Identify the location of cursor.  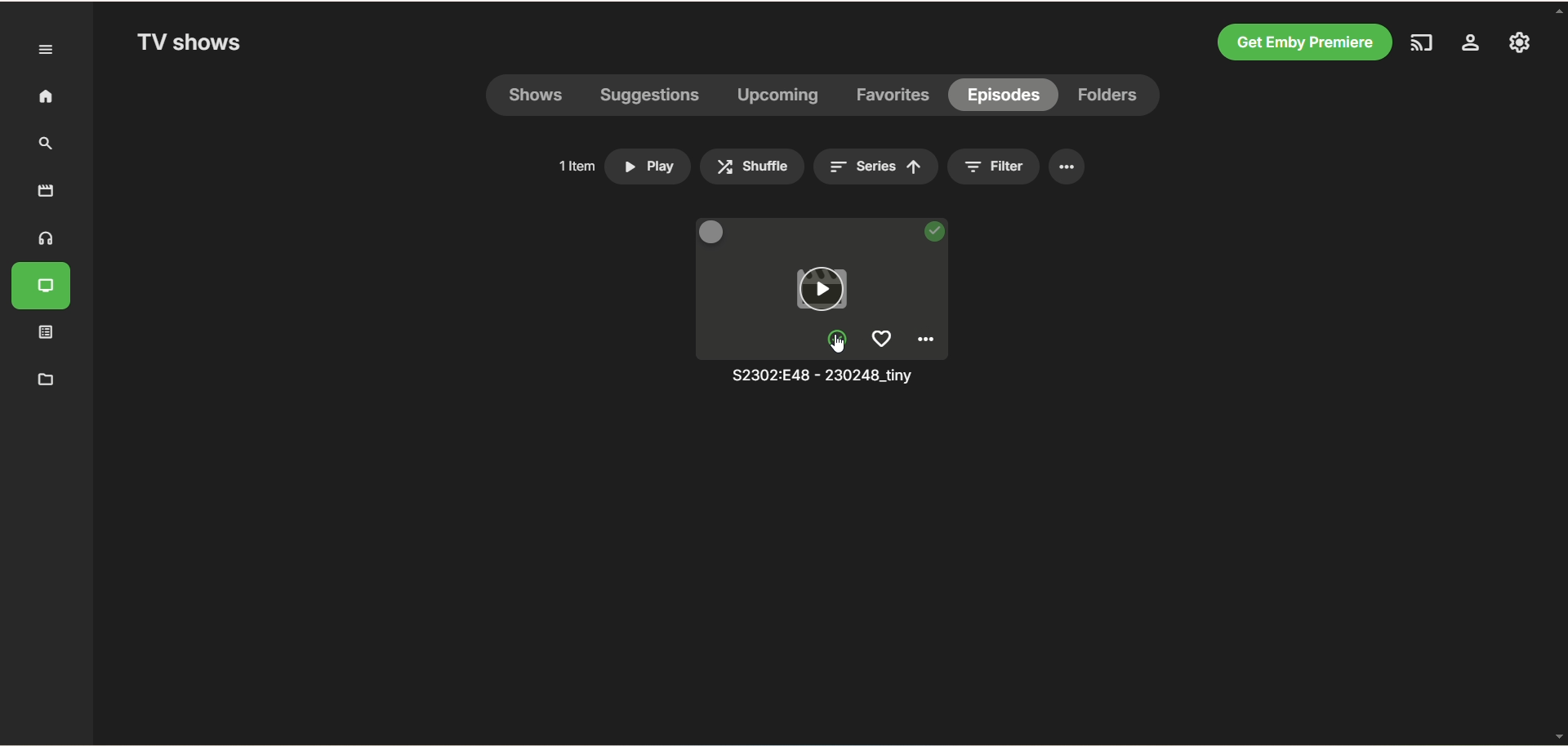
(837, 345).